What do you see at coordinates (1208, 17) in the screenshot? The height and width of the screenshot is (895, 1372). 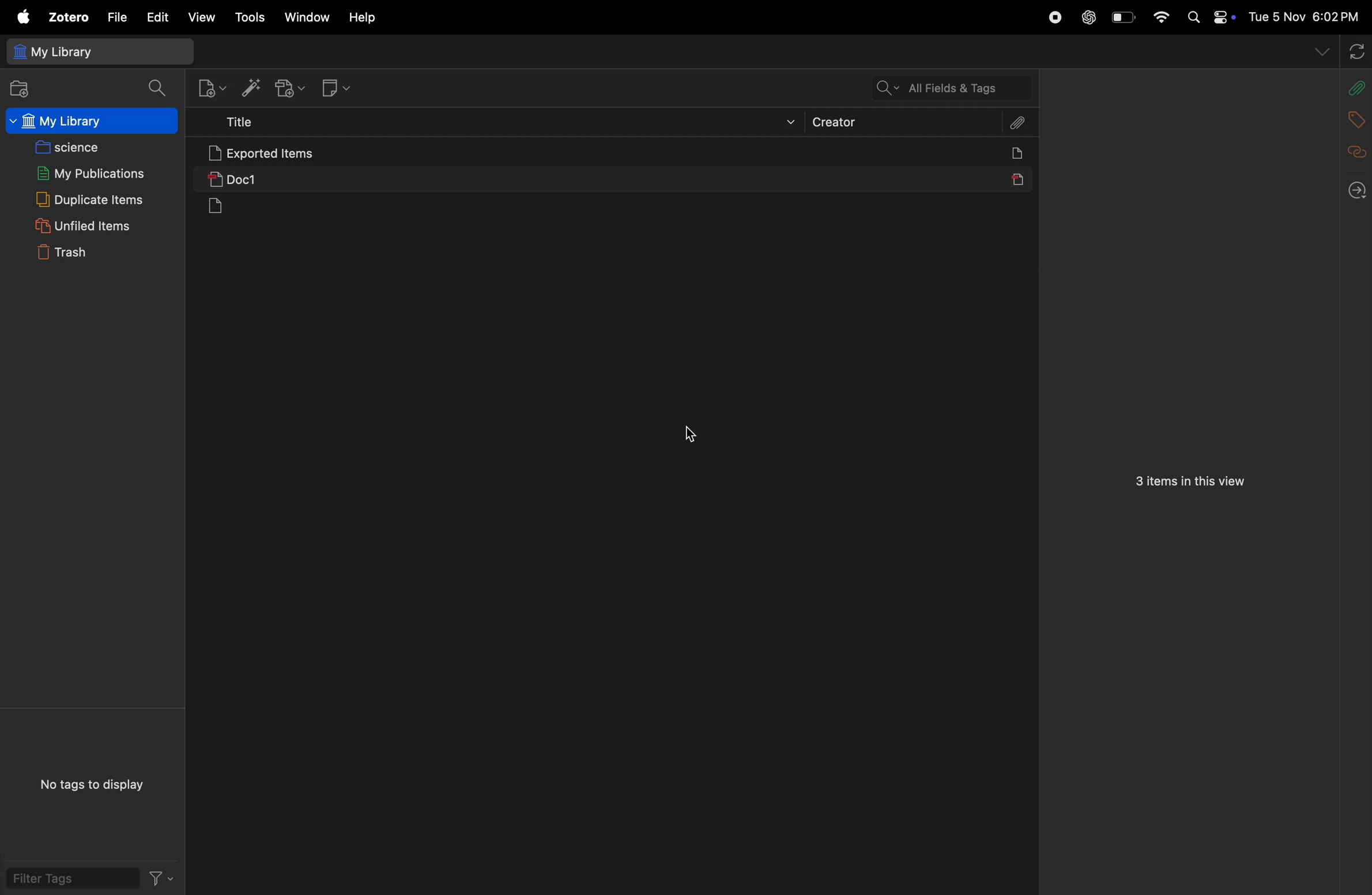 I see `aplle widgets` at bounding box center [1208, 17].